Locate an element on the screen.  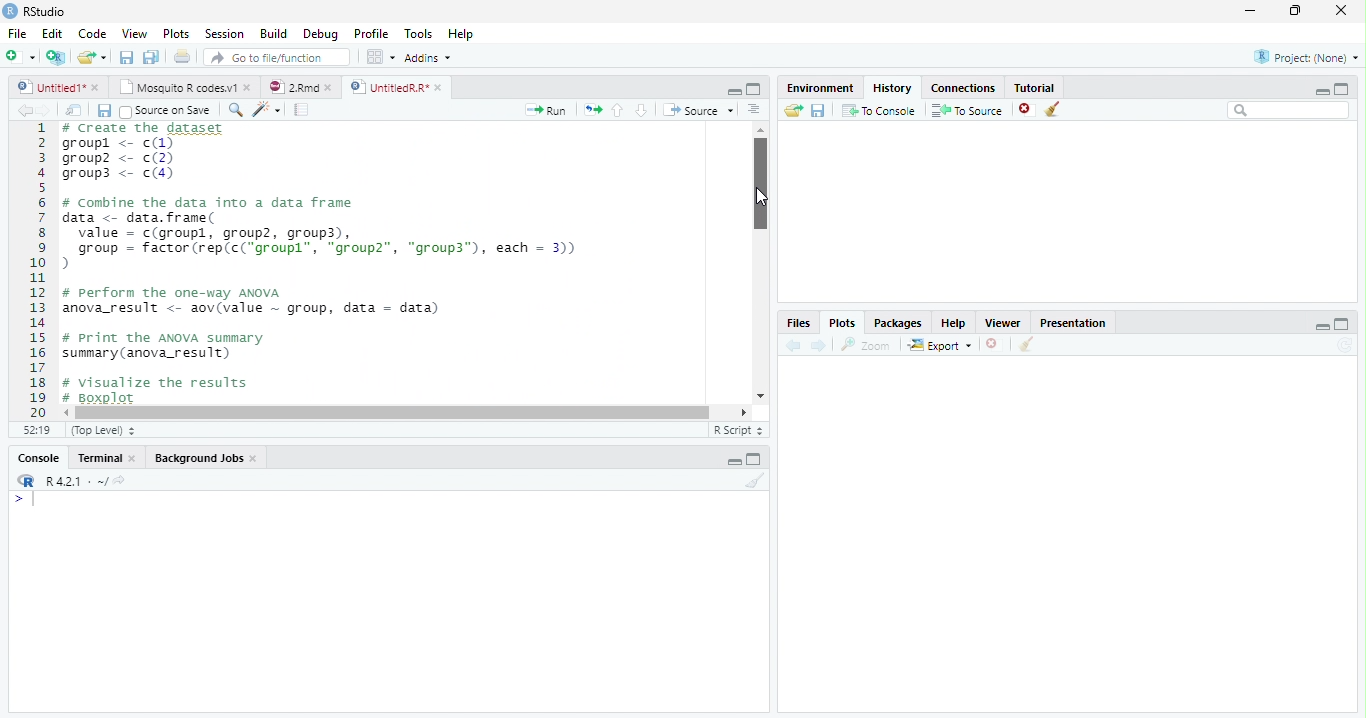
debug is located at coordinates (323, 35).